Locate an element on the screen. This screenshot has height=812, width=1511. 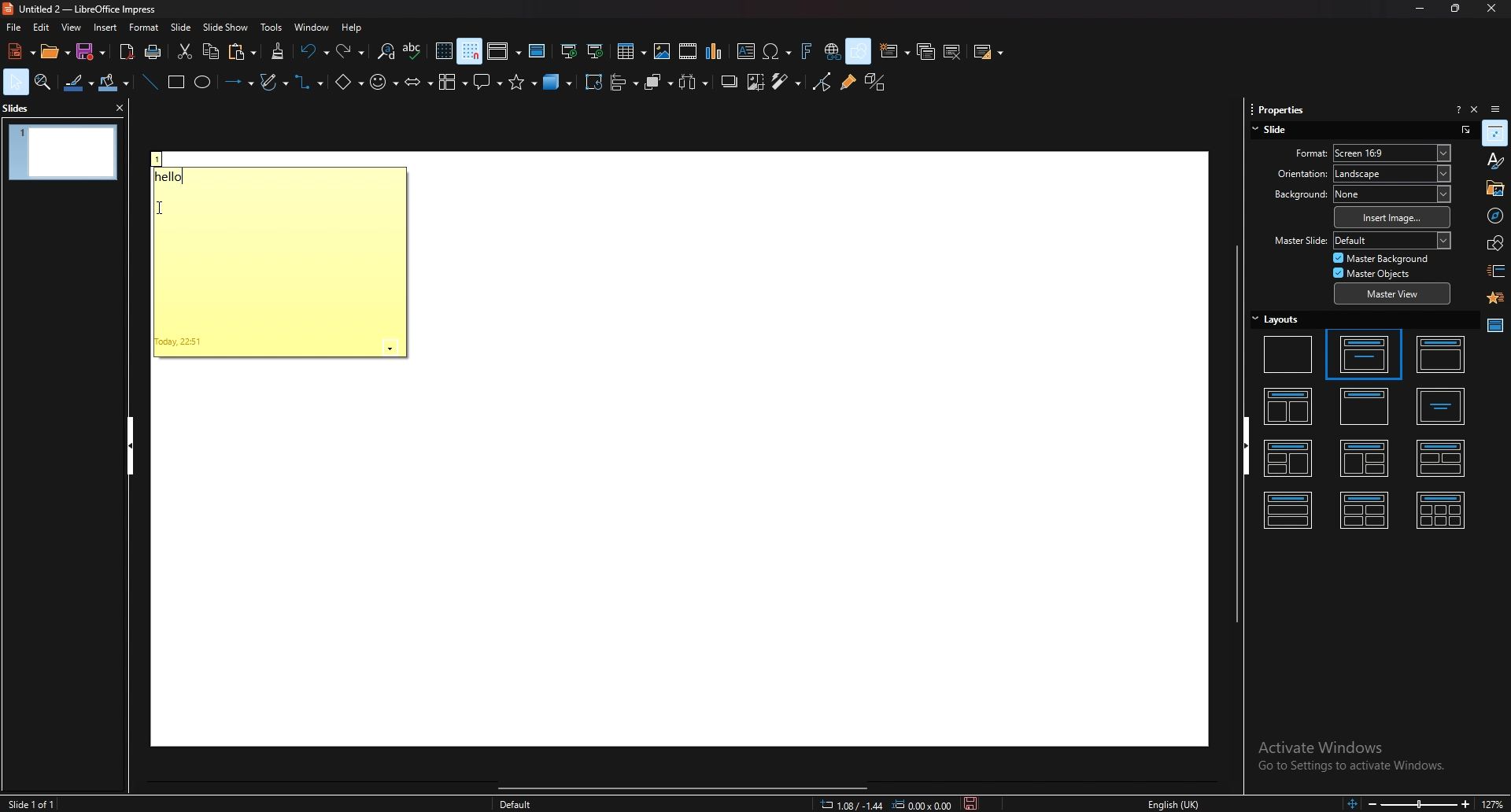
undo is located at coordinates (314, 51).